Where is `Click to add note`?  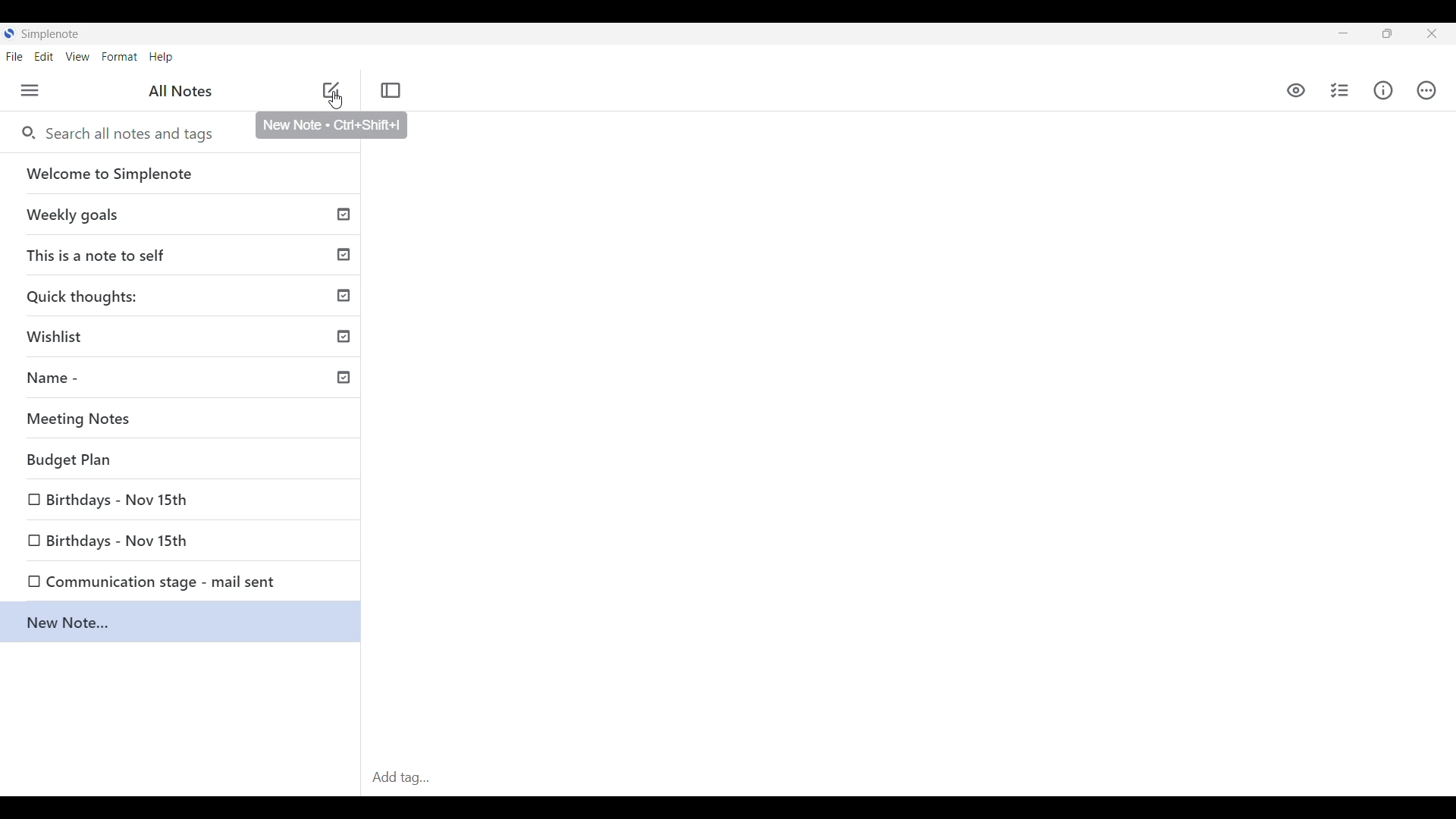 Click to add note is located at coordinates (332, 89).